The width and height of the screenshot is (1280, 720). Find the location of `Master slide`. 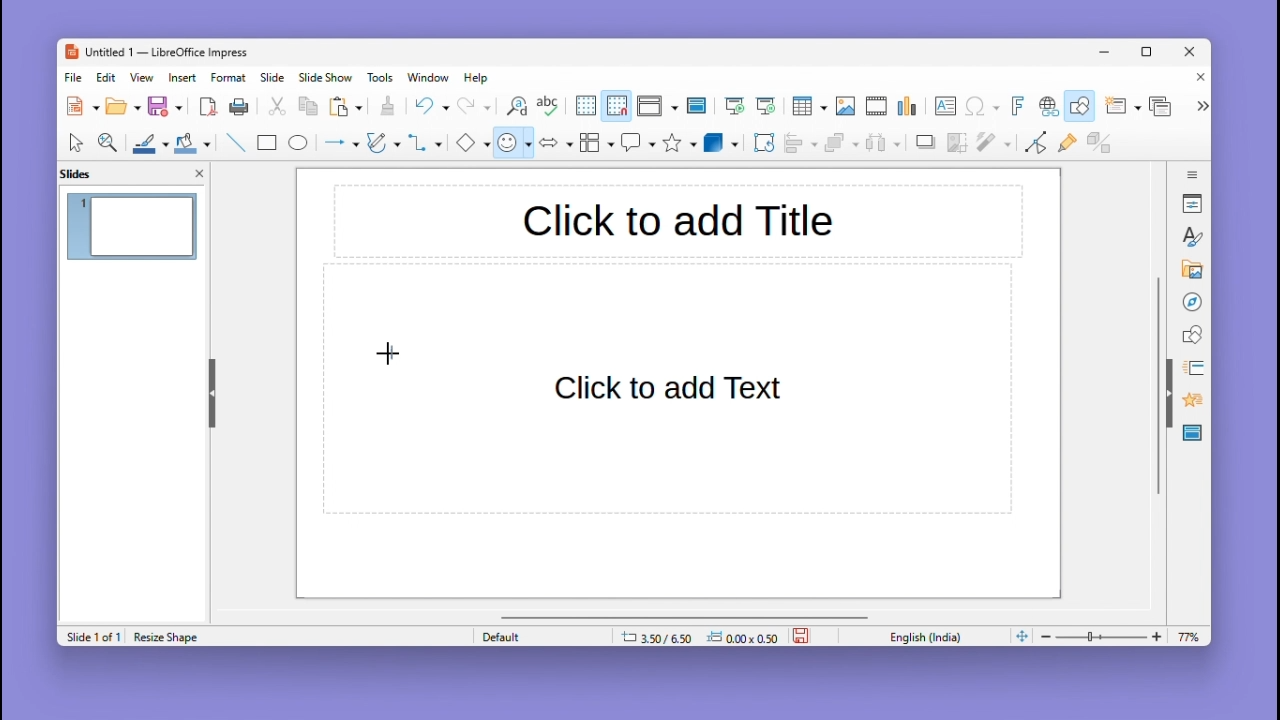

Master slide is located at coordinates (699, 105).